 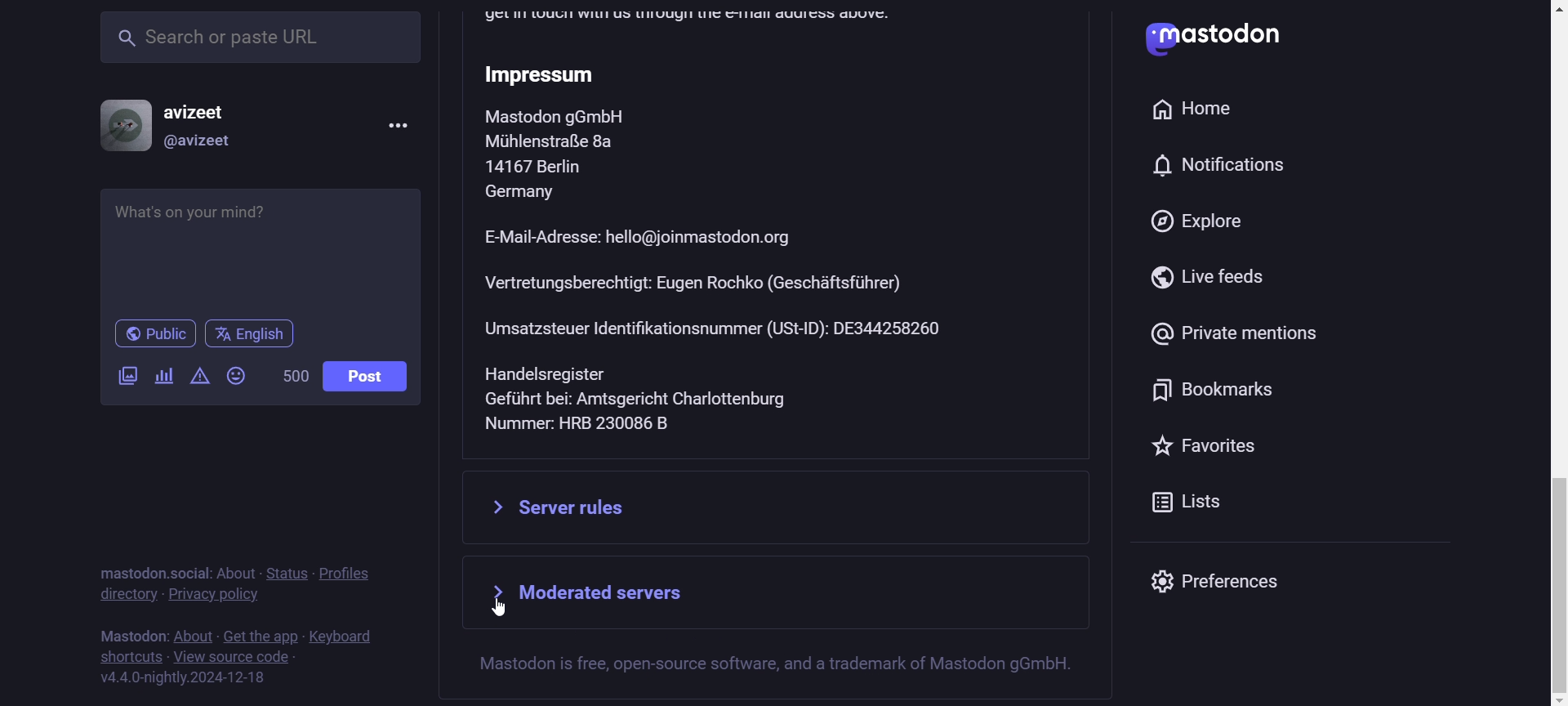 What do you see at coordinates (234, 659) in the screenshot?
I see `view source code` at bounding box center [234, 659].